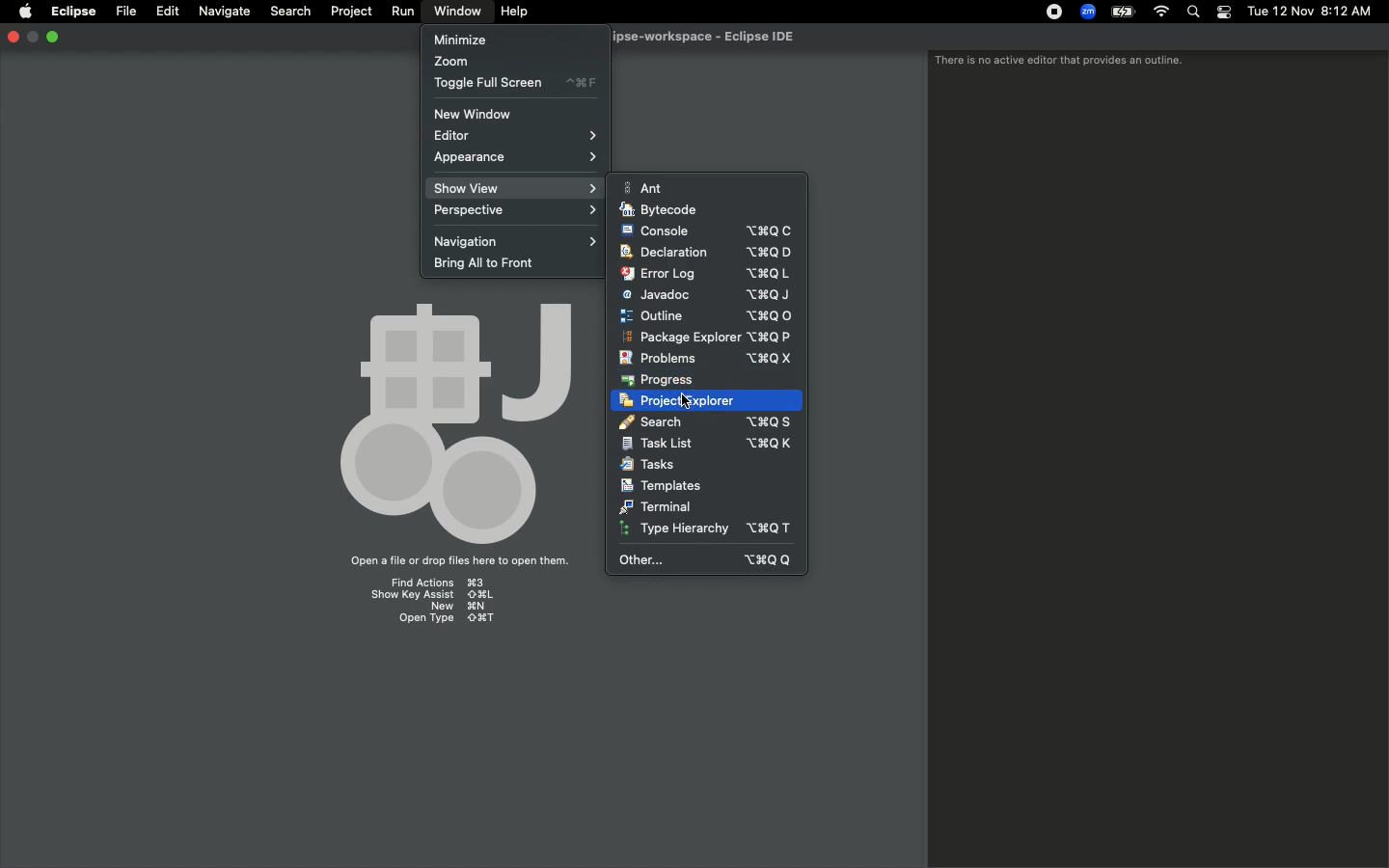 The width and height of the screenshot is (1389, 868). What do you see at coordinates (703, 422) in the screenshot?
I see `Search` at bounding box center [703, 422].